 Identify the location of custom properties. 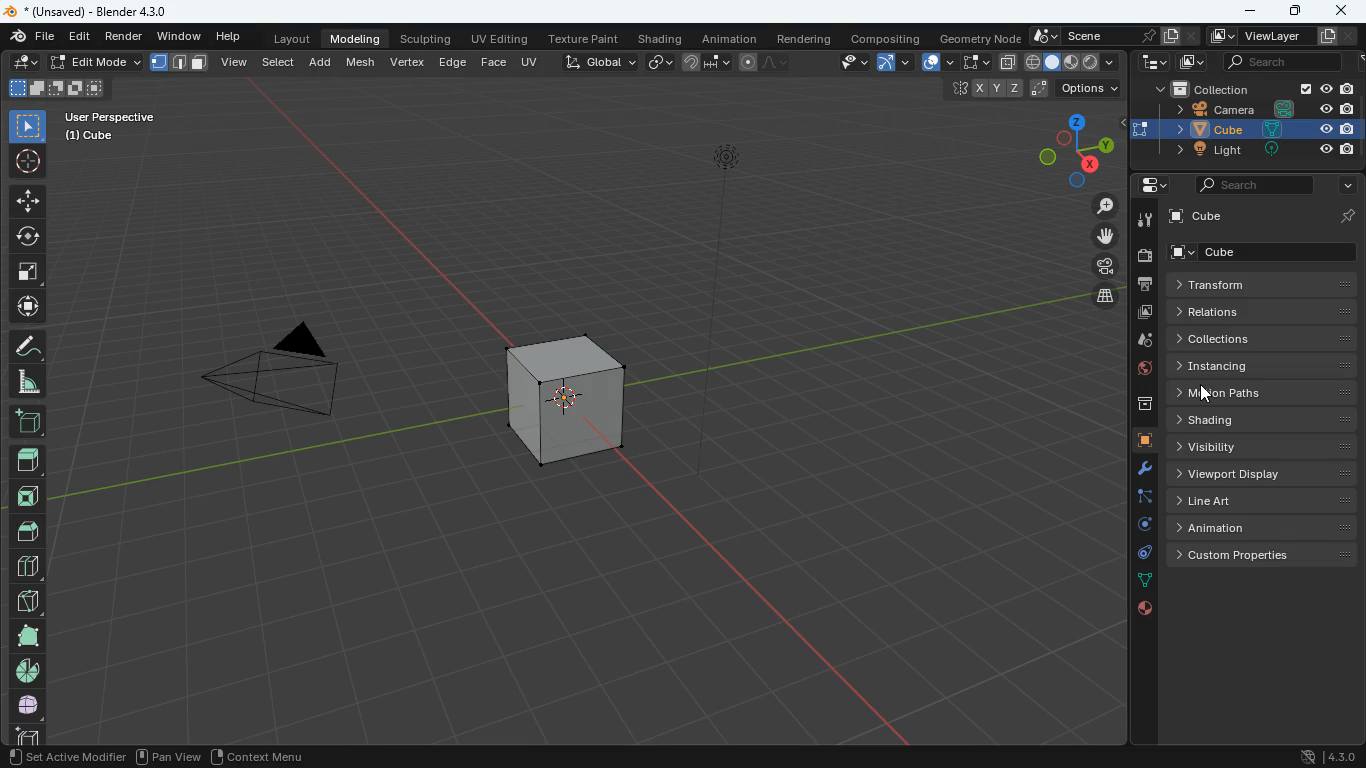
(1266, 556).